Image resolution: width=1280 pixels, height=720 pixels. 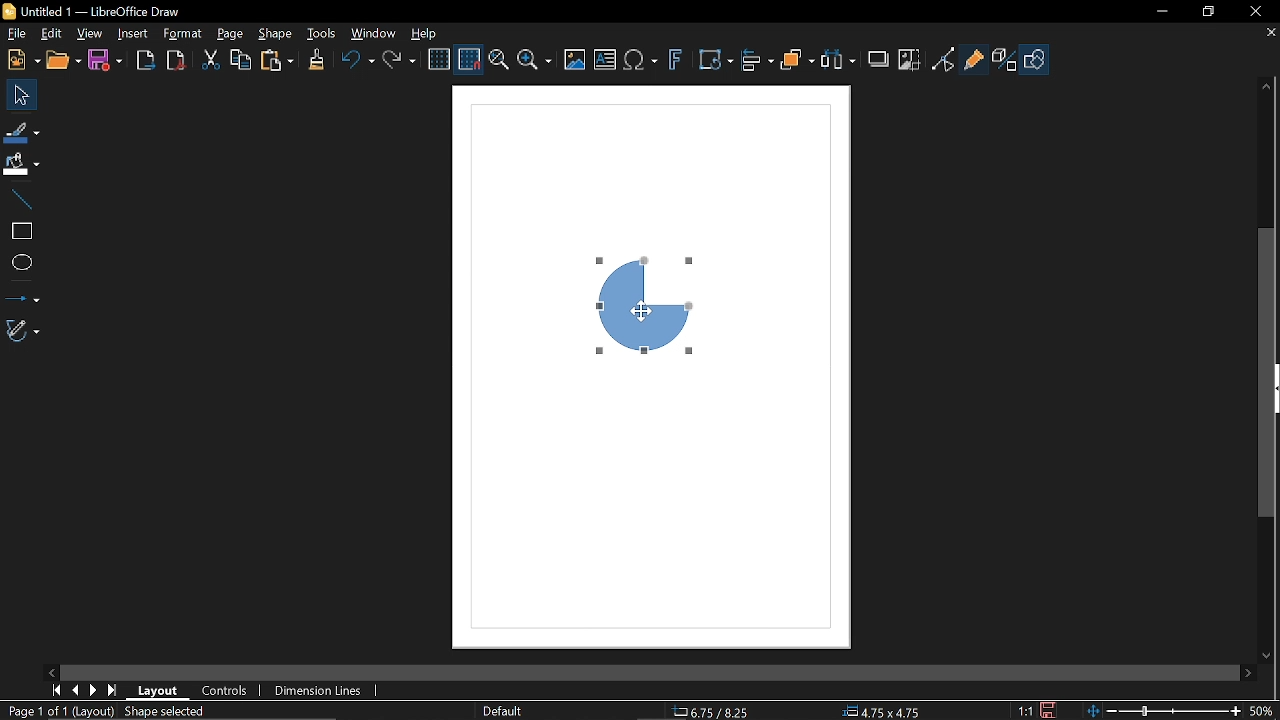 What do you see at coordinates (1026, 710) in the screenshot?
I see `1:1 (Scaling factor)` at bounding box center [1026, 710].